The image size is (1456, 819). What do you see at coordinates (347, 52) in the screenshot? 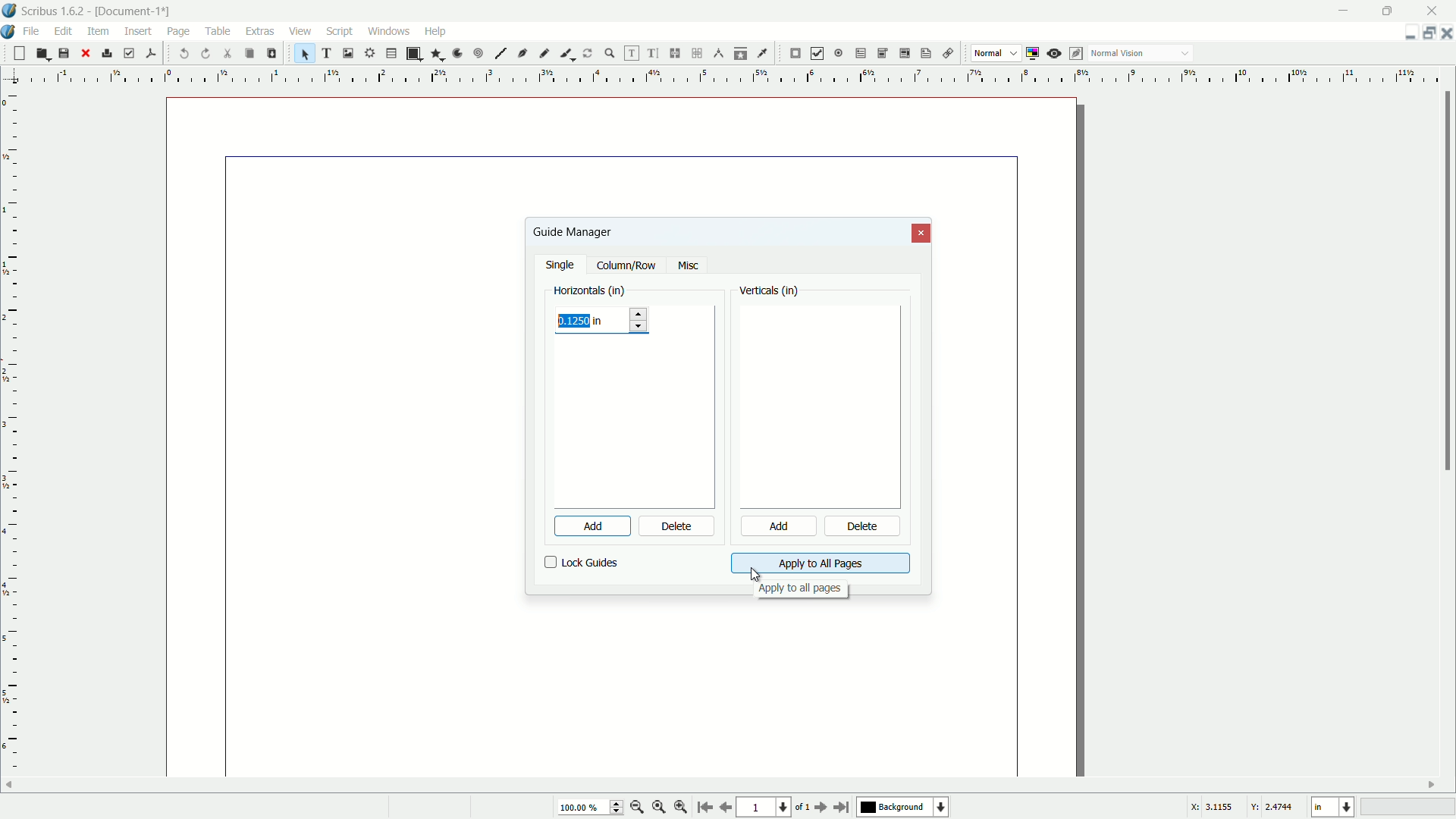
I see `image frame` at bounding box center [347, 52].